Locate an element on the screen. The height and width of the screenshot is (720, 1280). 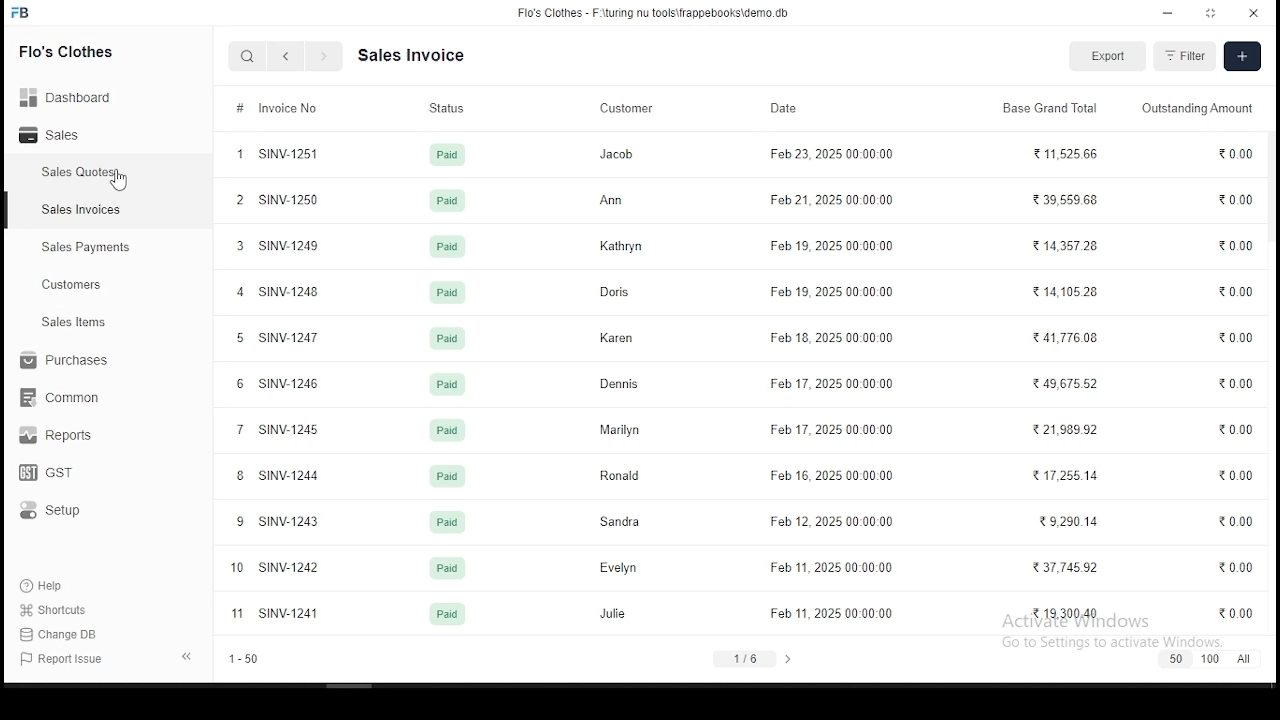
Dashboard is located at coordinates (75, 98).